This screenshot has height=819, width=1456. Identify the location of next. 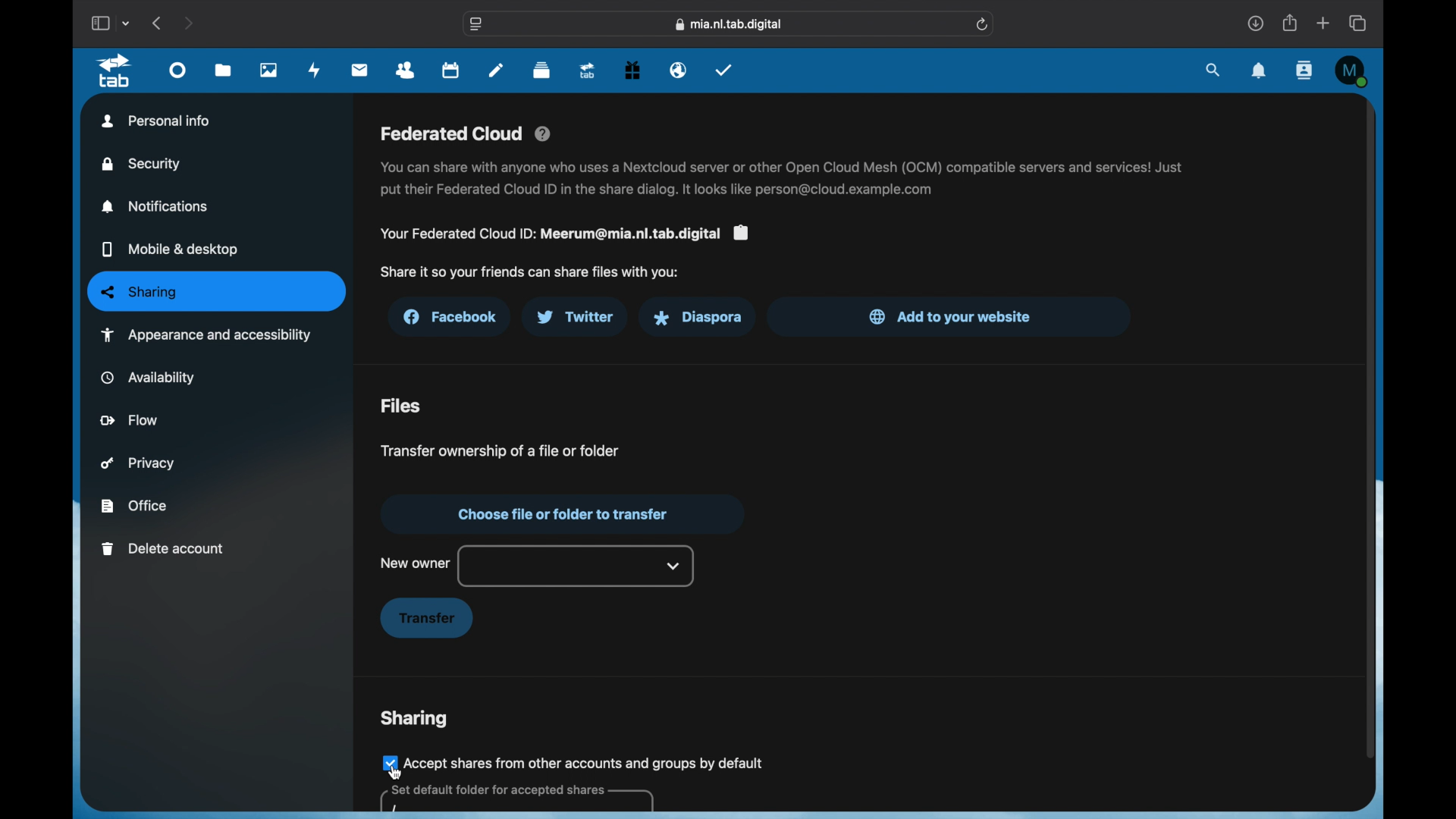
(188, 23).